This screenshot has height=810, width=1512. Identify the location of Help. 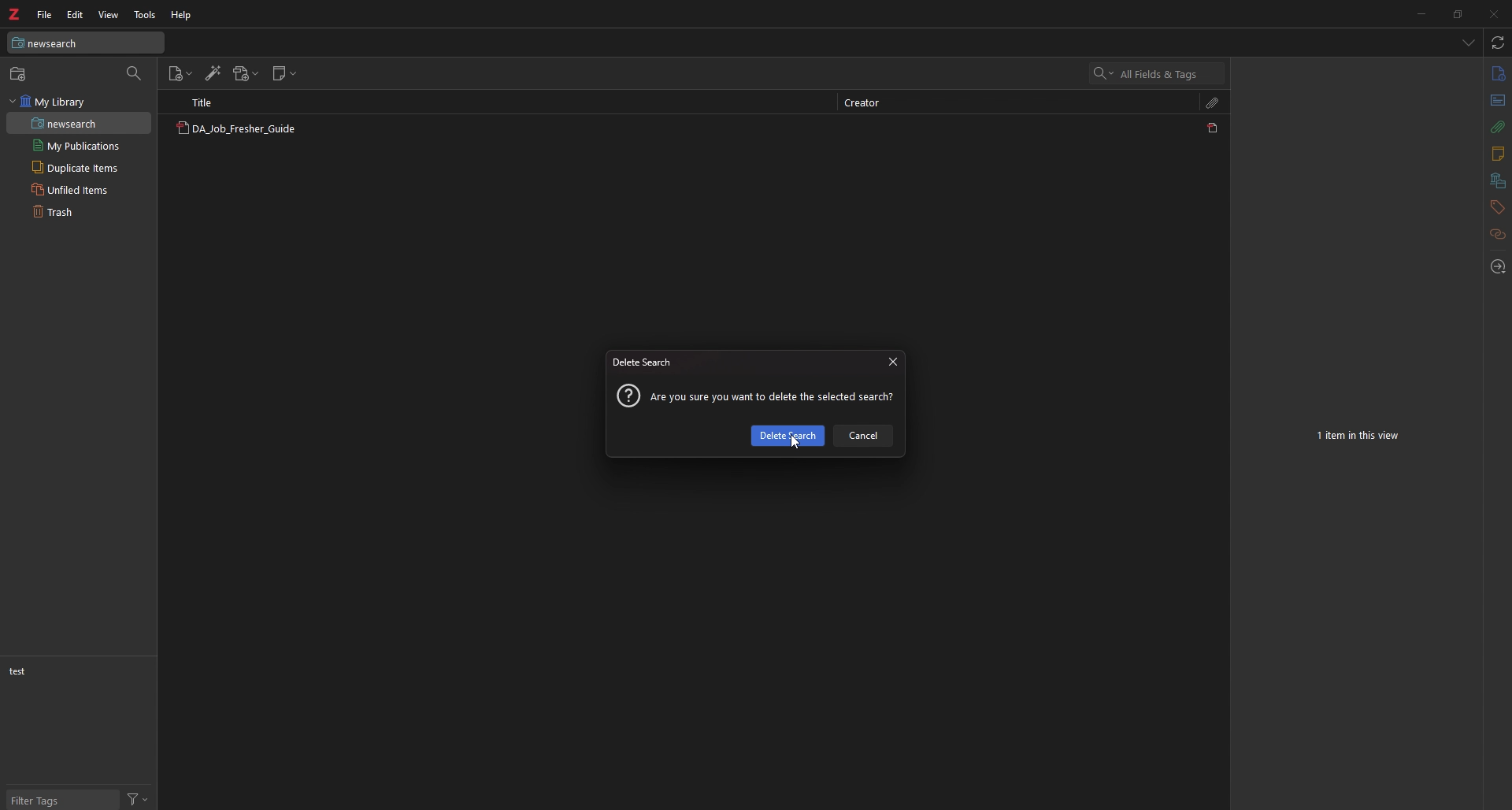
(176, 14).